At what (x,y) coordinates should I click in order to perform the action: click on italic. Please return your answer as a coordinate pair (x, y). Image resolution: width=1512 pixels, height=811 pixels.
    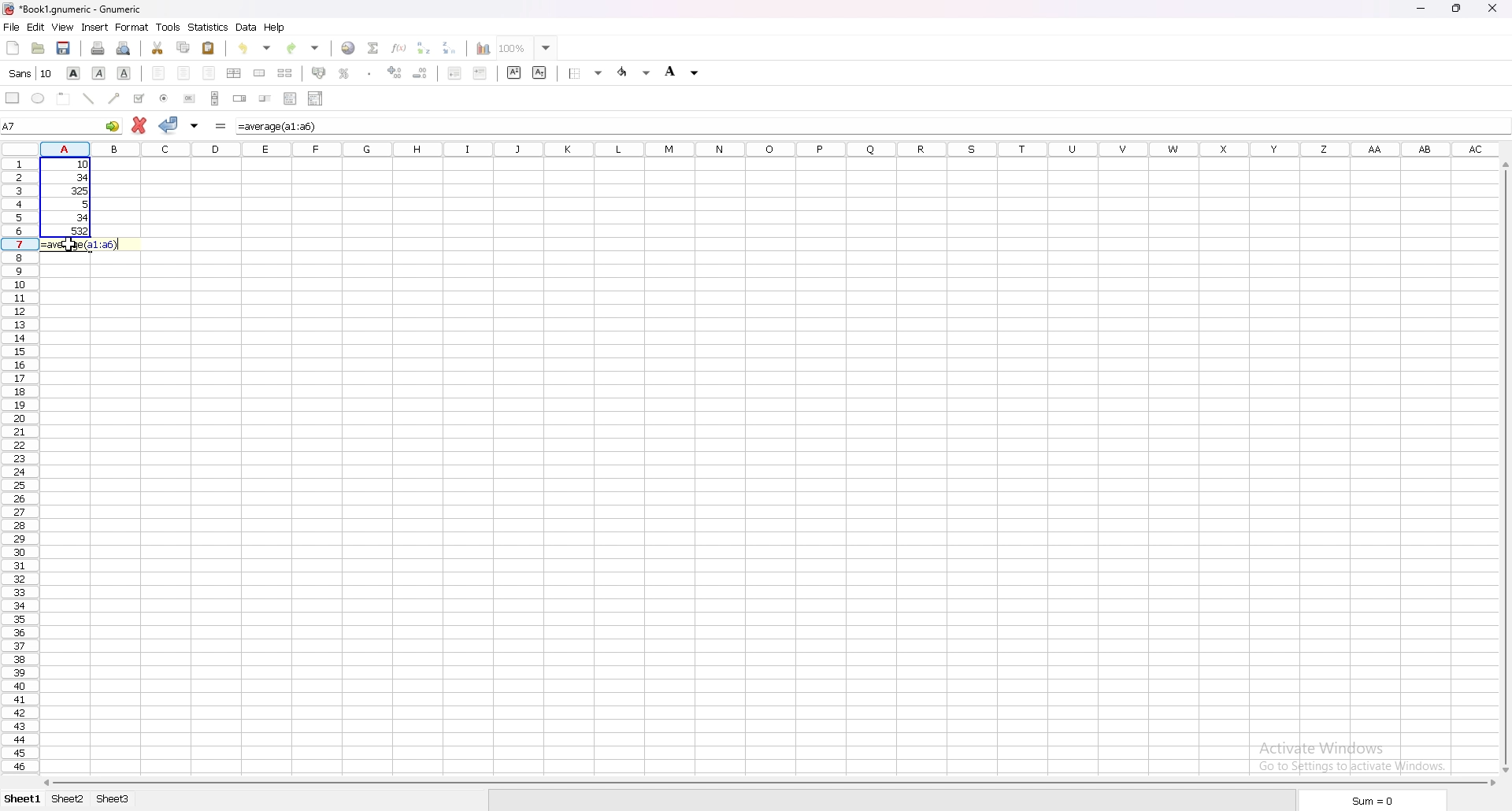
    Looking at the image, I should click on (99, 72).